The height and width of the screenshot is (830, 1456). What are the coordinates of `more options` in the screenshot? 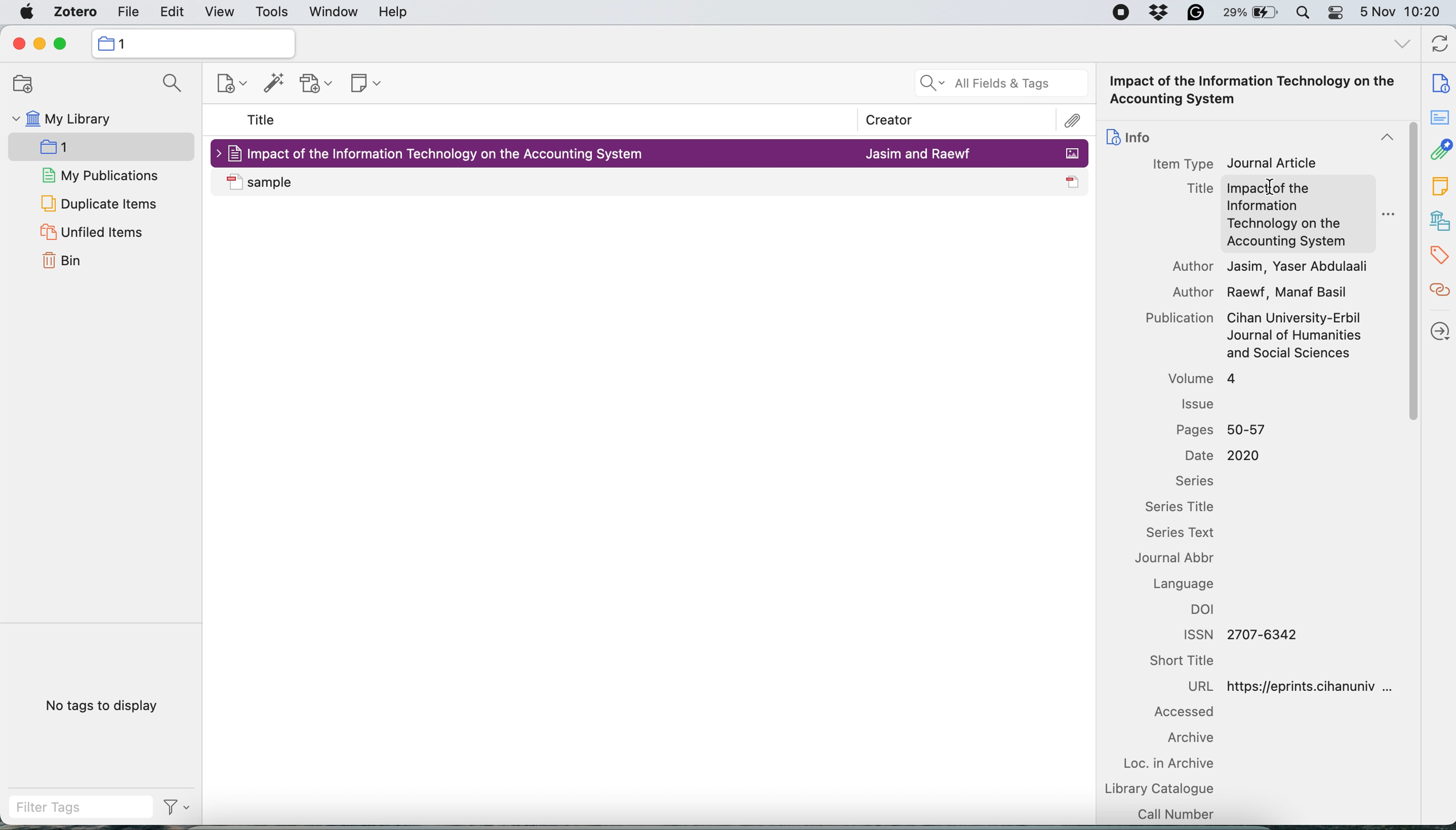 It's located at (1387, 215).